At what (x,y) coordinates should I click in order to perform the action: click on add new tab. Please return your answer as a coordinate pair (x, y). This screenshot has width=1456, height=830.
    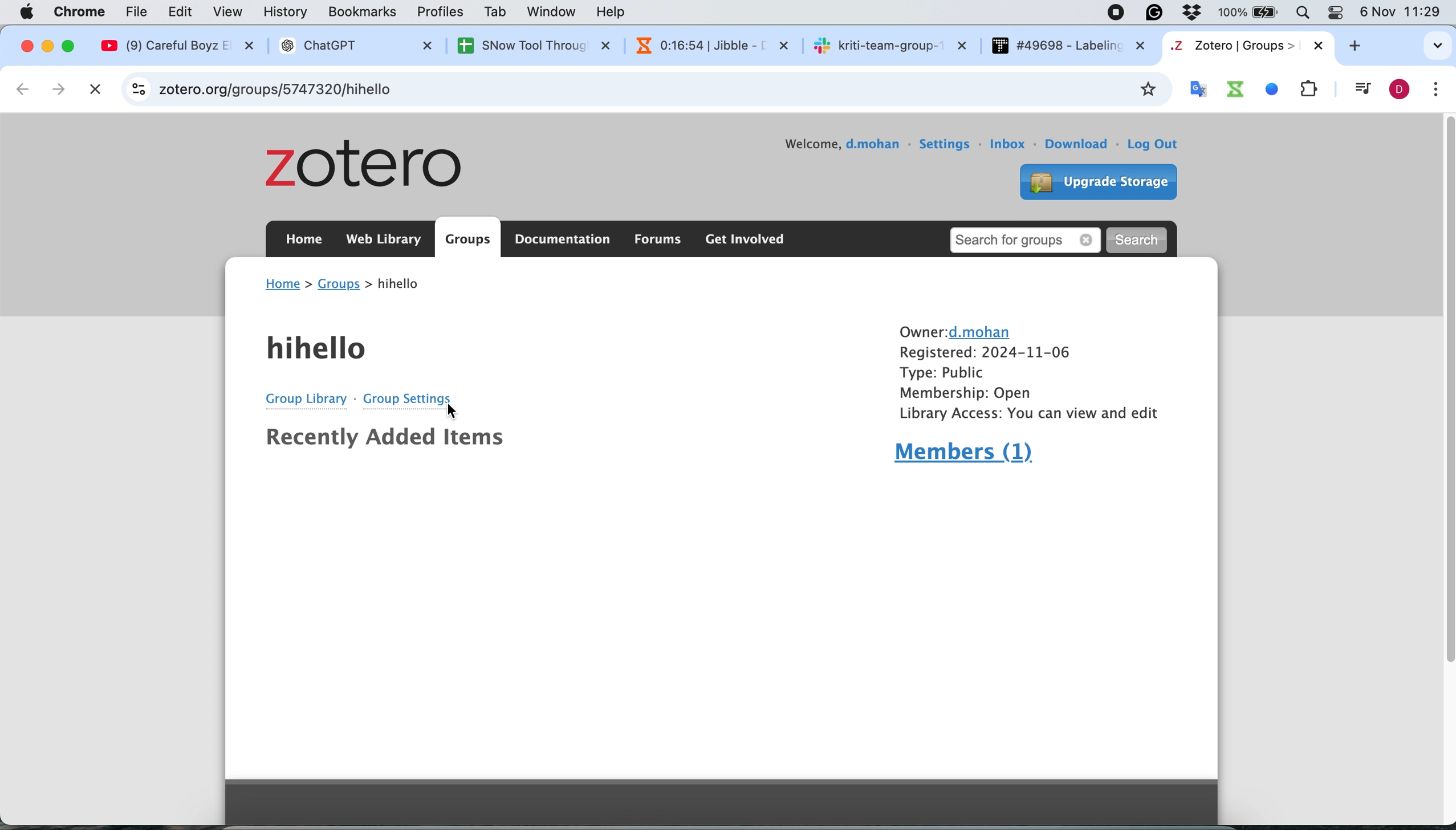
    Looking at the image, I should click on (1362, 48).